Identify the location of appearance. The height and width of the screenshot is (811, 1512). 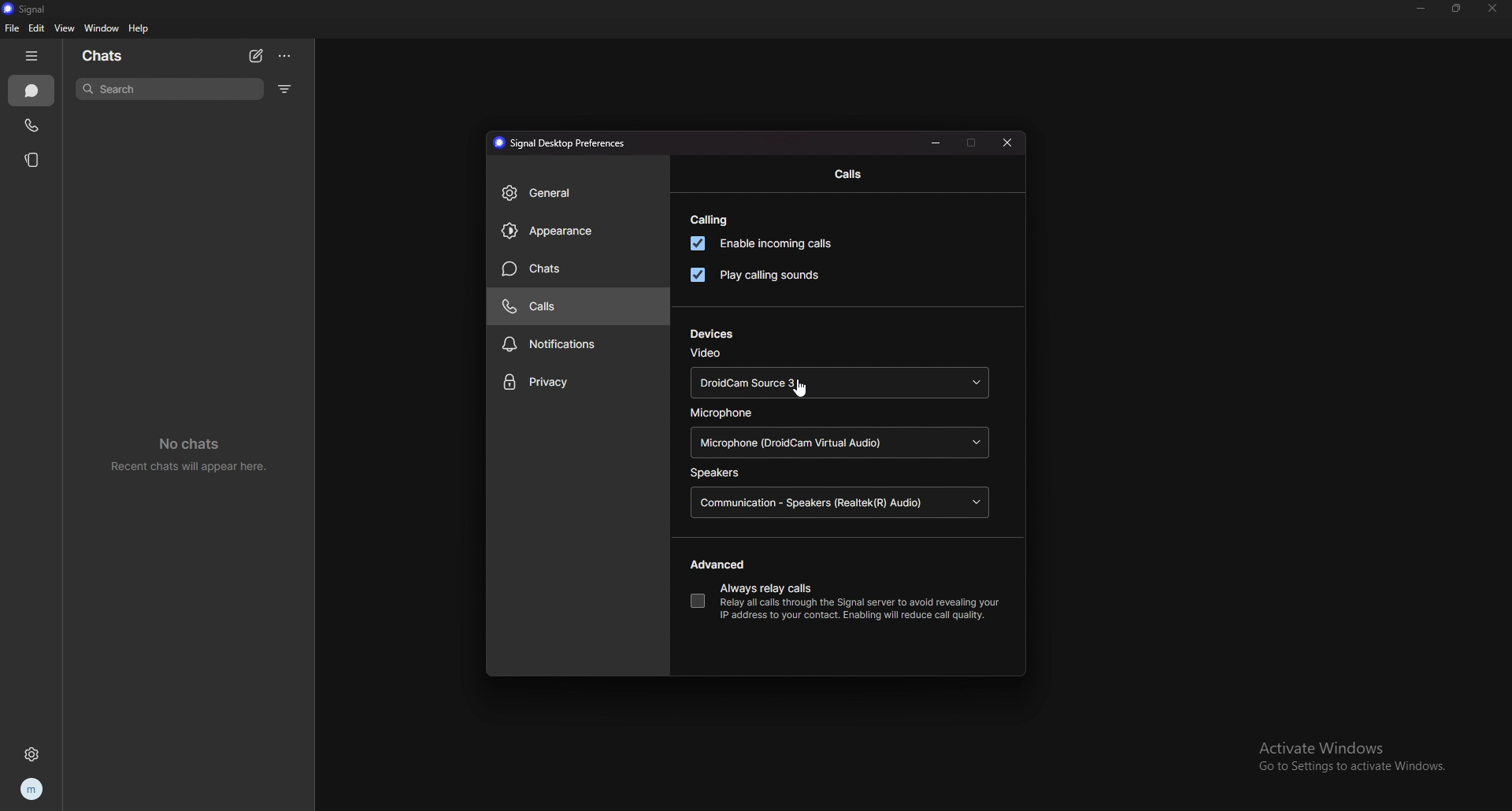
(578, 231).